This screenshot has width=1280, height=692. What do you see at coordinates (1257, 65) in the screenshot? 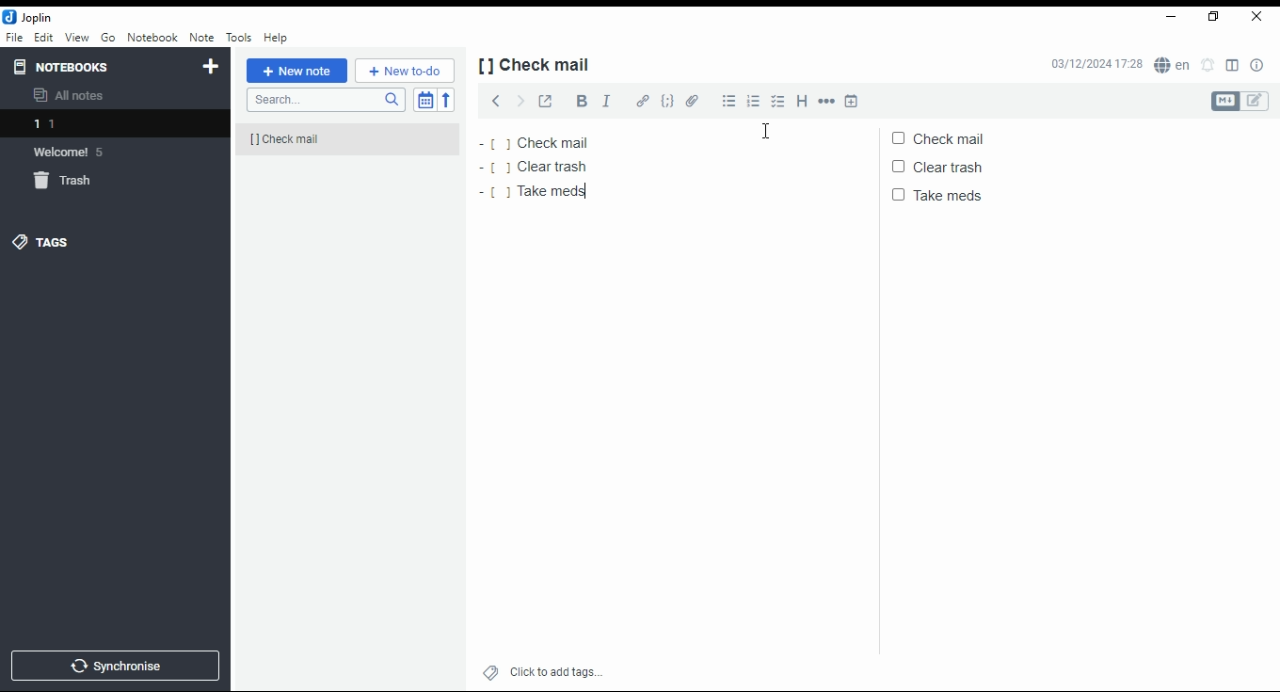
I see `note properties` at bounding box center [1257, 65].